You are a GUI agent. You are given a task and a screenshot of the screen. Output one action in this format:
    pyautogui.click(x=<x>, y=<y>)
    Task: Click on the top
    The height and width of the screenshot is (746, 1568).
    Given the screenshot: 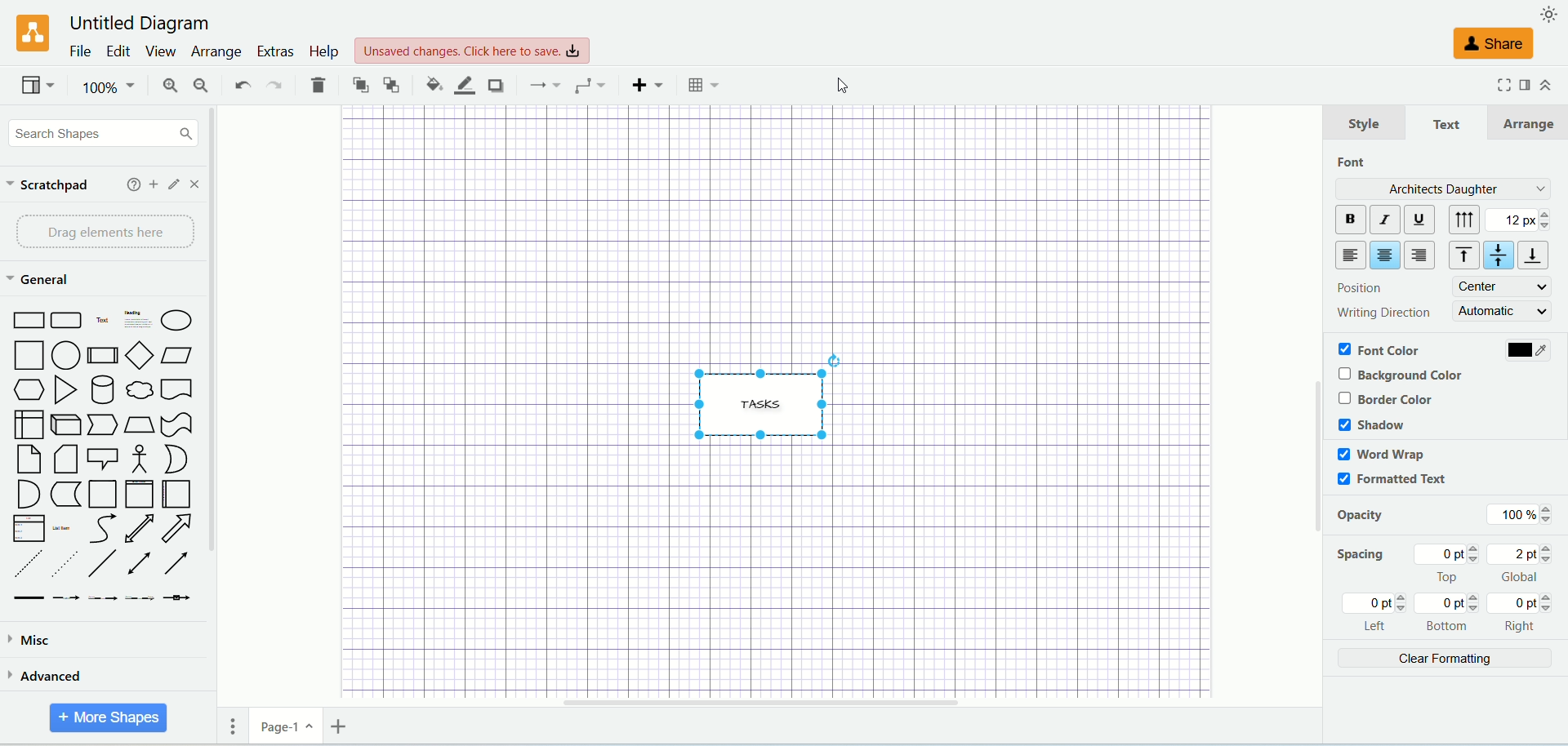 What is the action you would take?
    pyautogui.click(x=1459, y=257)
    